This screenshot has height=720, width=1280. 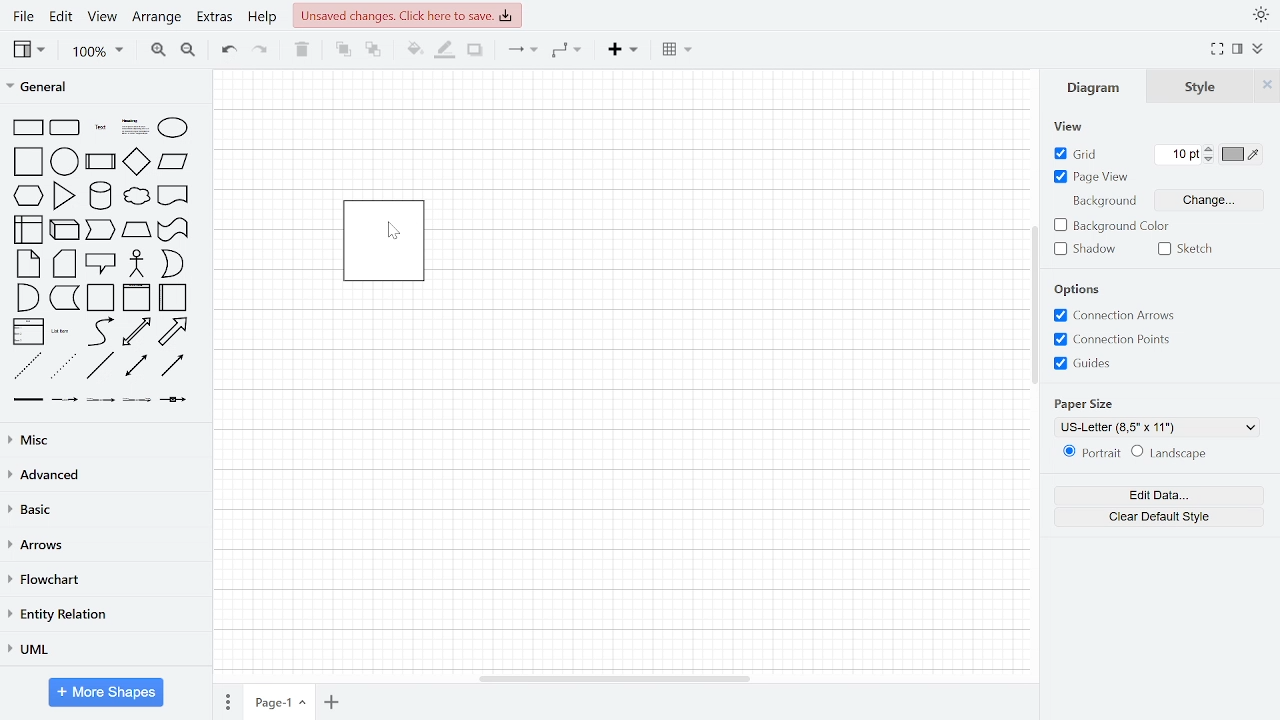 I want to click on full screen, so click(x=1218, y=49).